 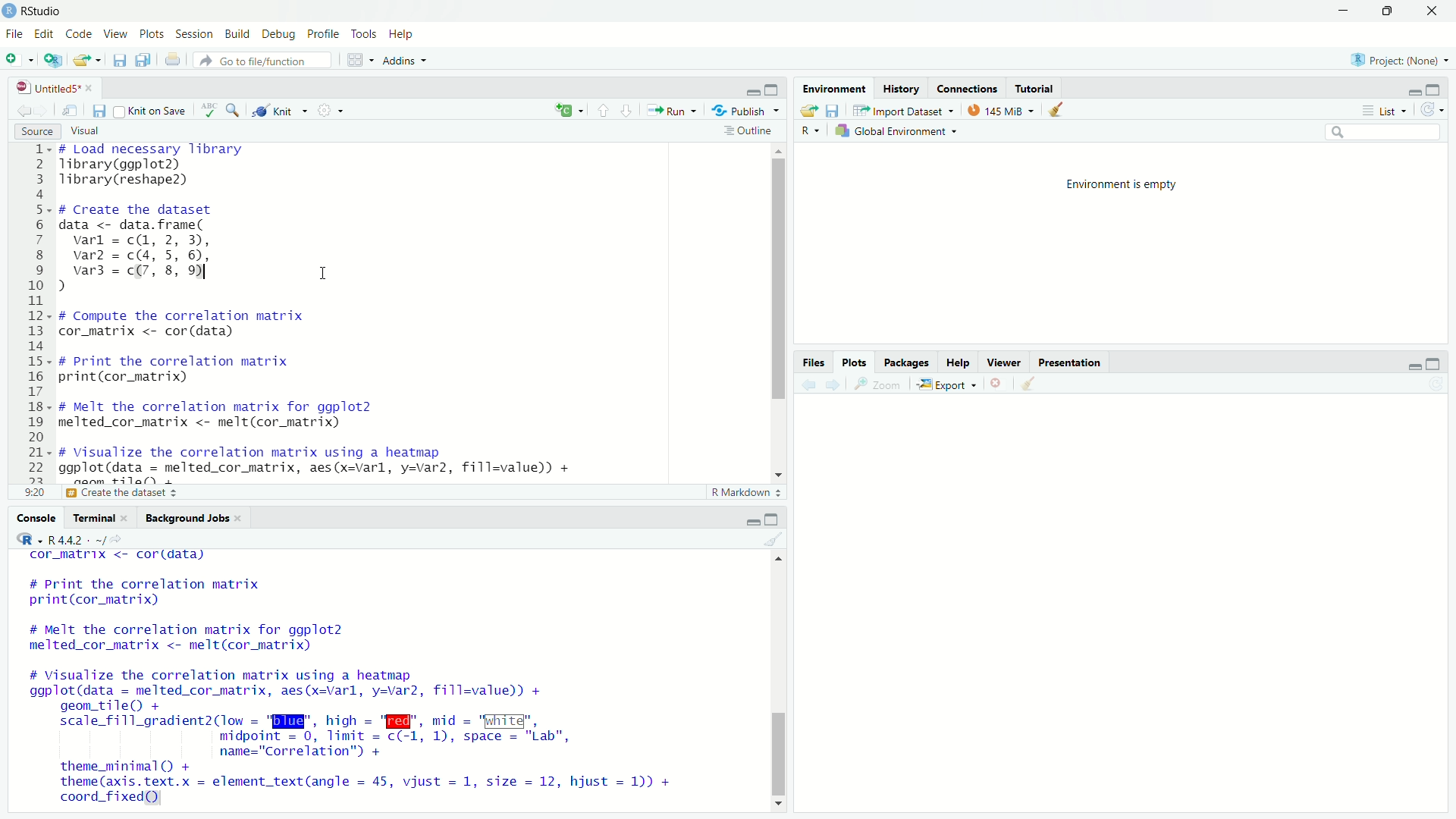 What do you see at coordinates (1031, 383) in the screenshot?
I see `clear plots` at bounding box center [1031, 383].